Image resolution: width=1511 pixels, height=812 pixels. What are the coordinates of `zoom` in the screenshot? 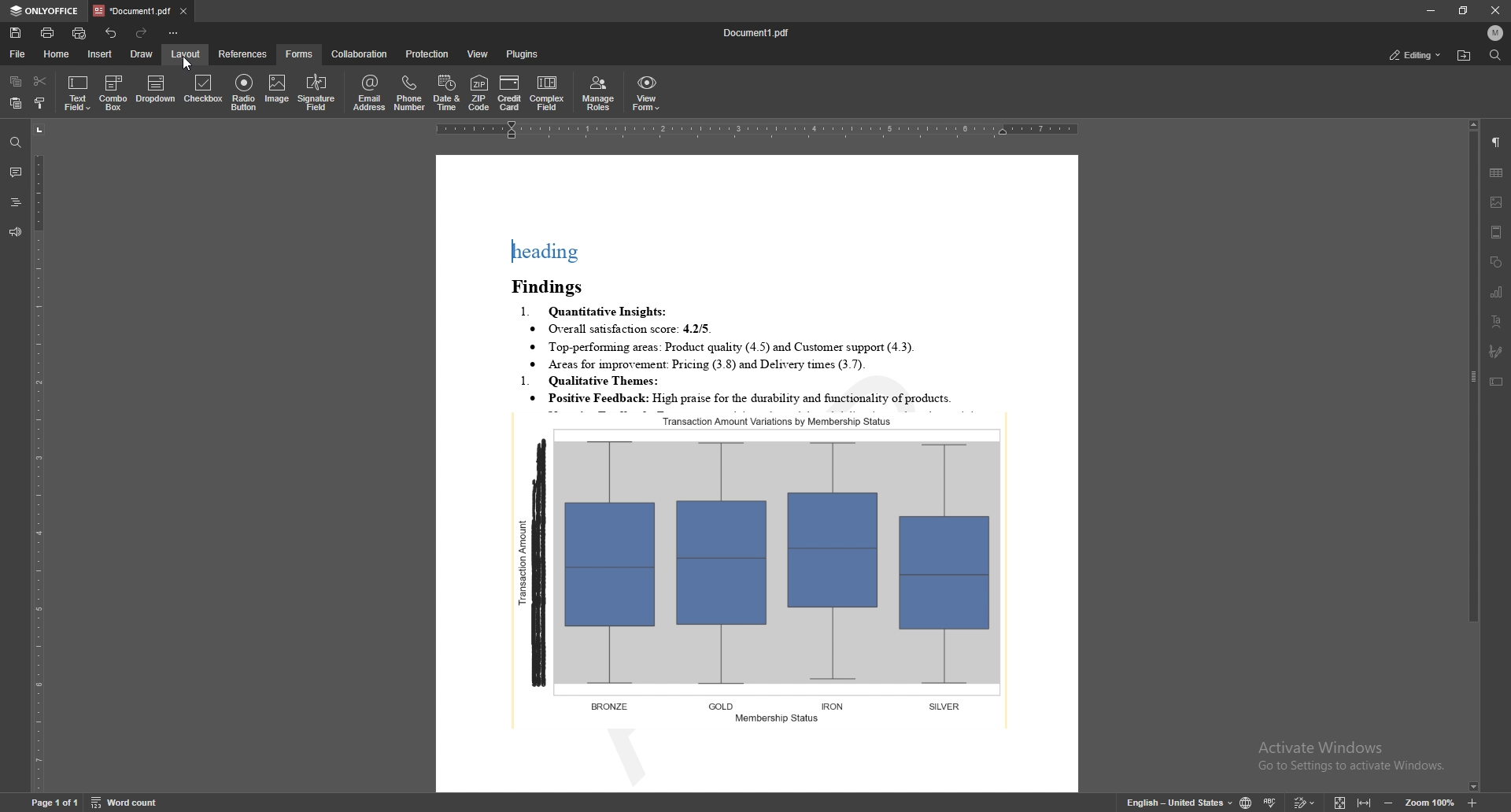 It's located at (1430, 803).